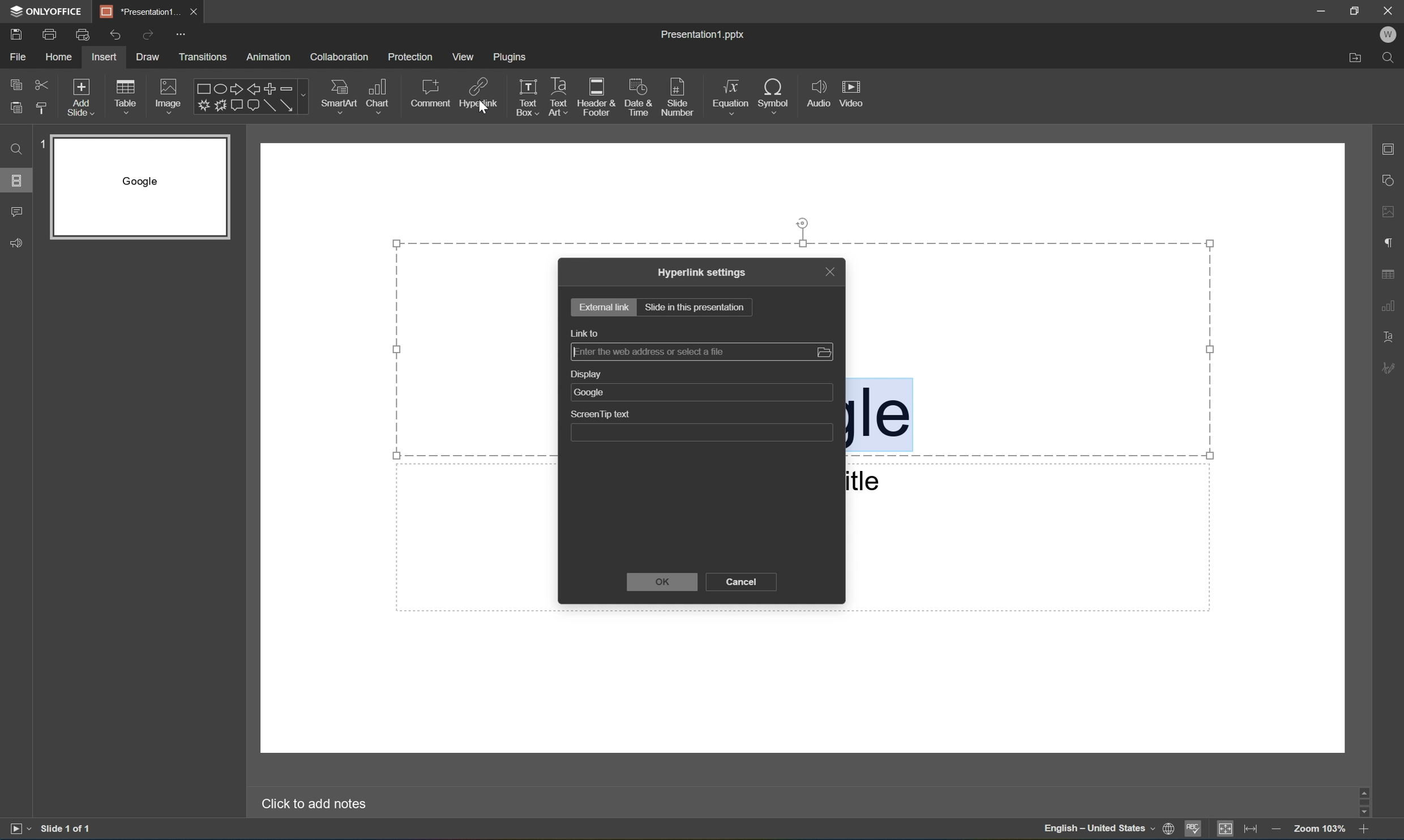 The image size is (1404, 840). Describe the element at coordinates (50, 36) in the screenshot. I see `Print file` at that location.